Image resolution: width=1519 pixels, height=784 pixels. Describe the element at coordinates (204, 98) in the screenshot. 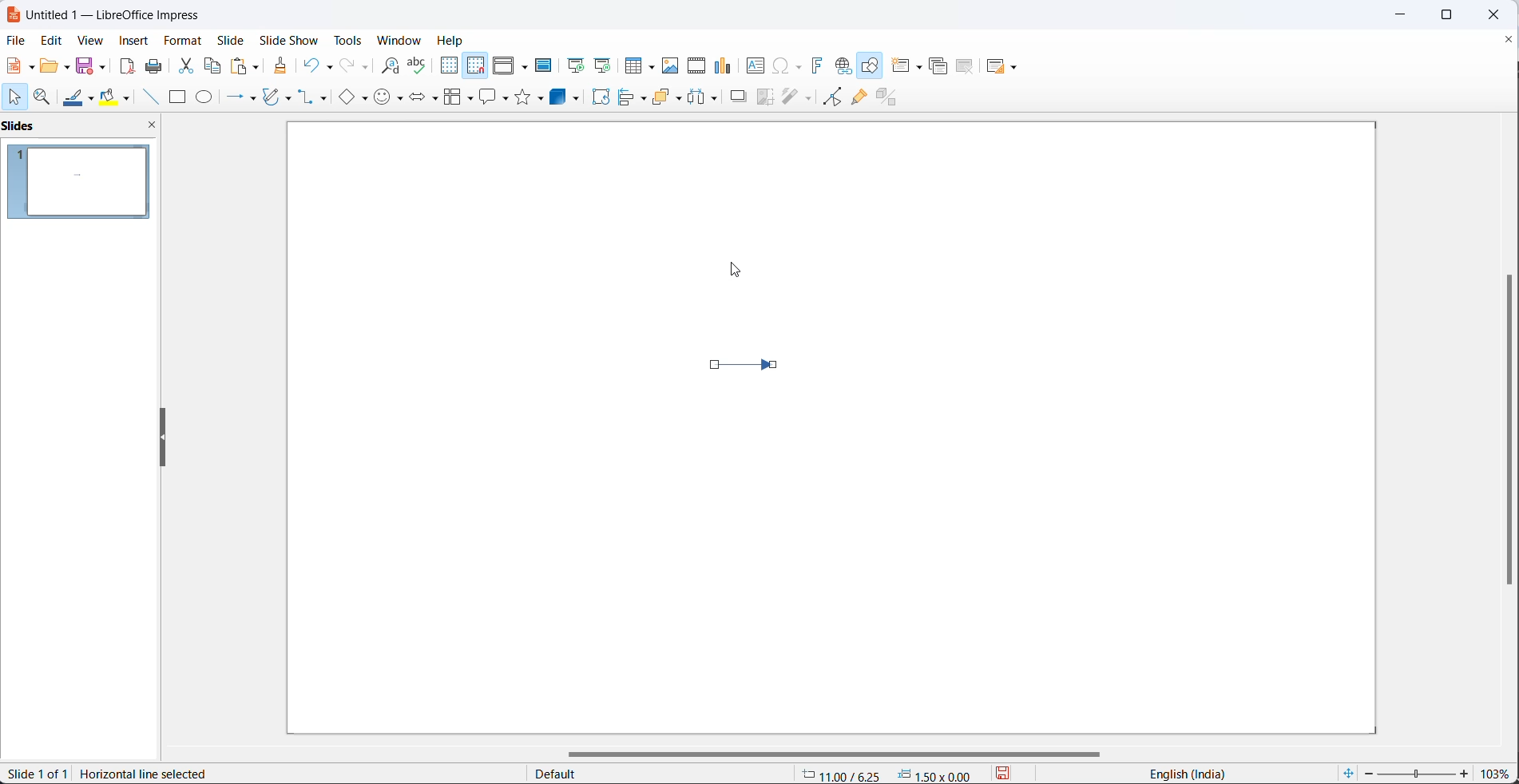

I see `ellipse` at that location.